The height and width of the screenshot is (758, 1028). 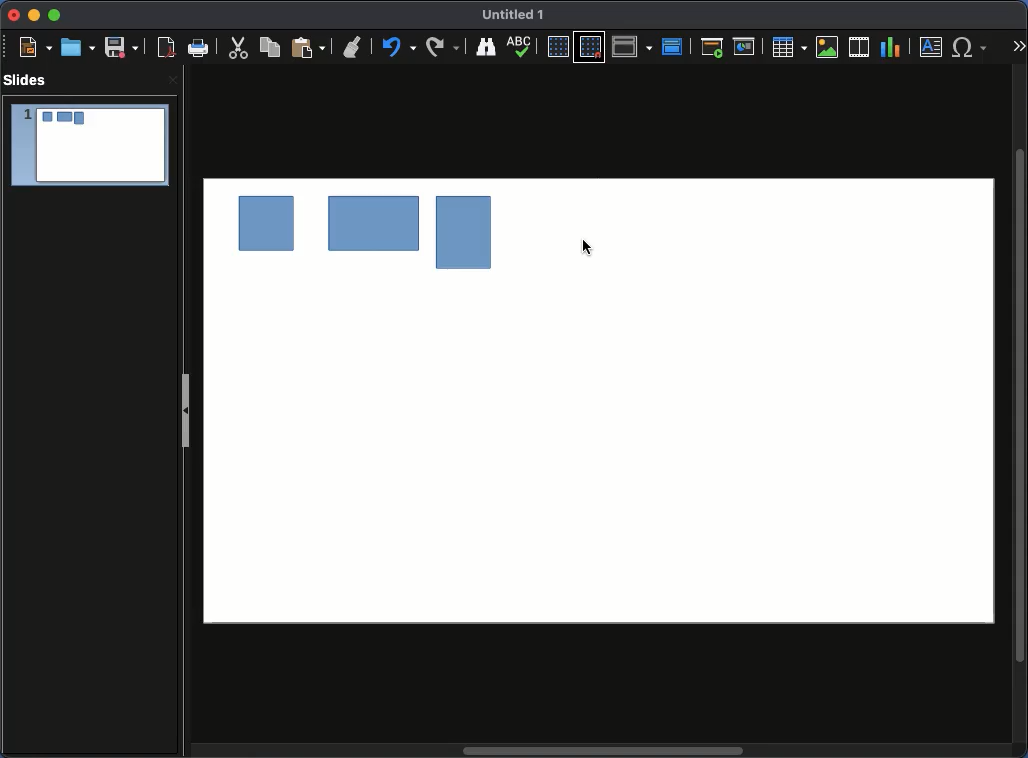 What do you see at coordinates (306, 48) in the screenshot?
I see `Paste` at bounding box center [306, 48].